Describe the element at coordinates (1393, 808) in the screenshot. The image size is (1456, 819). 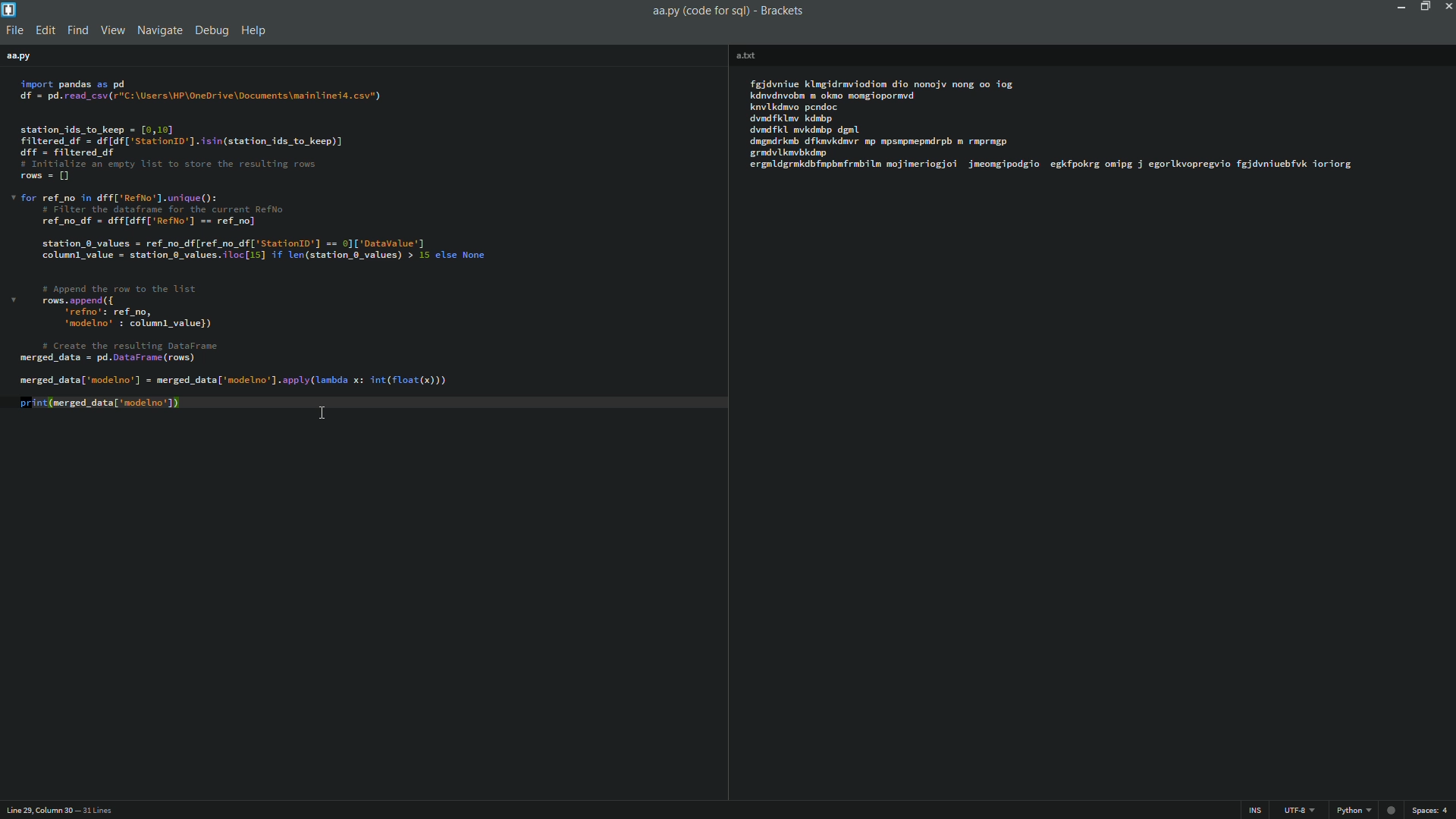
I see `warning` at that location.